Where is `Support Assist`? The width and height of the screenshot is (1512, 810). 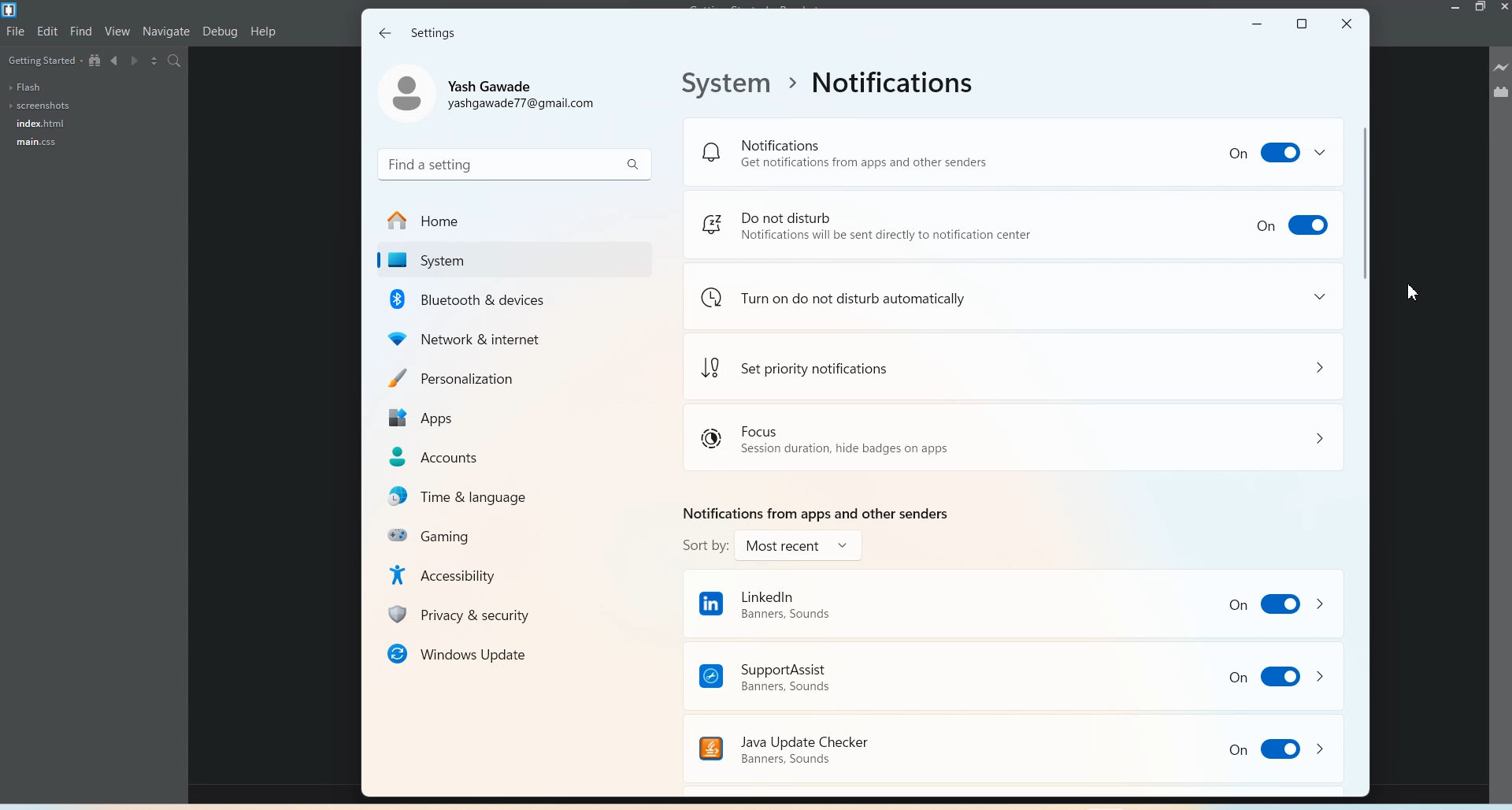
Support Assist is located at coordinates (1013, 674).